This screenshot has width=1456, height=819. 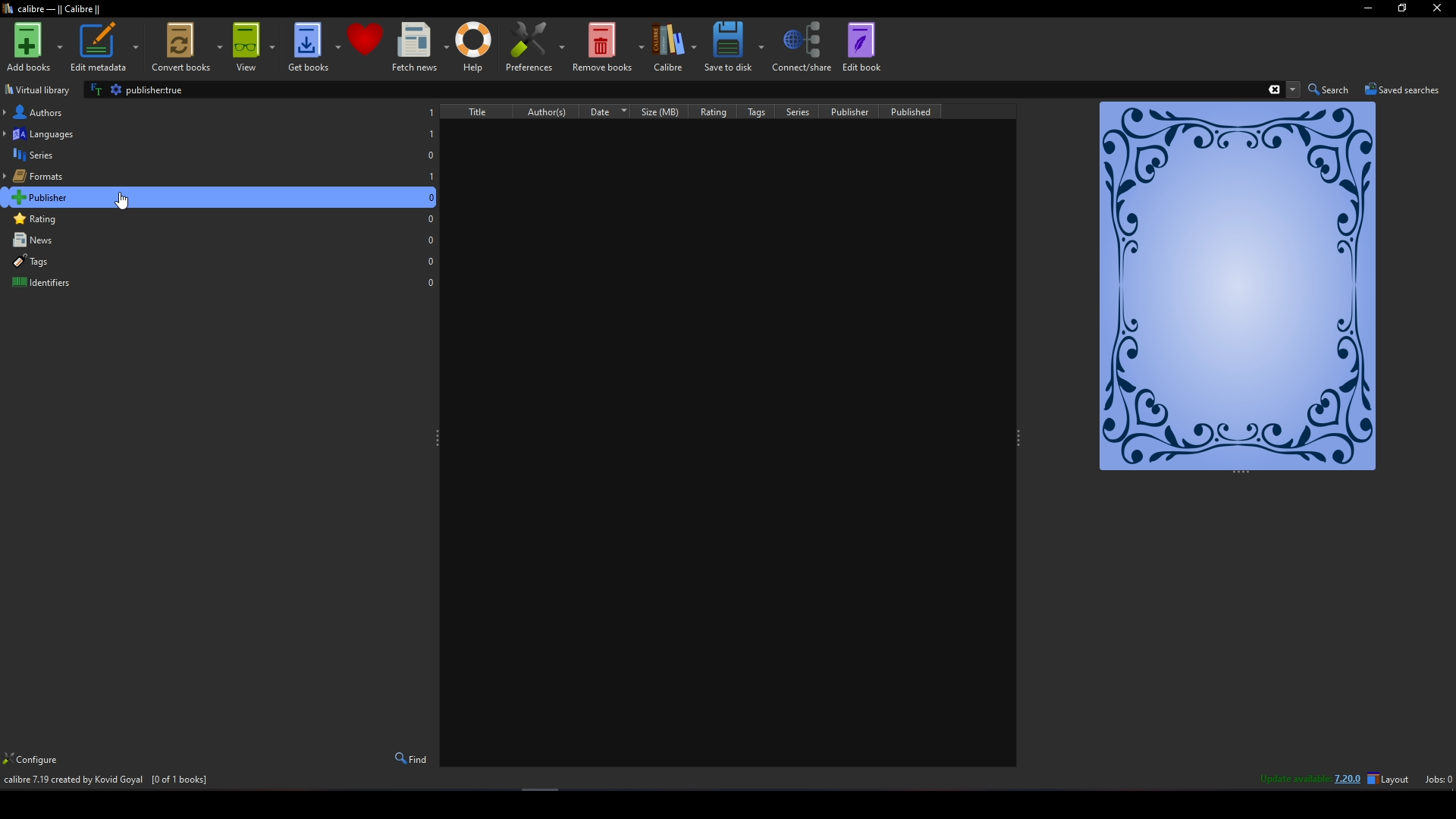 What do you see at coordinates (861, 45) in the screenshot?
I see `Edit book` at bounding box center [861, 45].